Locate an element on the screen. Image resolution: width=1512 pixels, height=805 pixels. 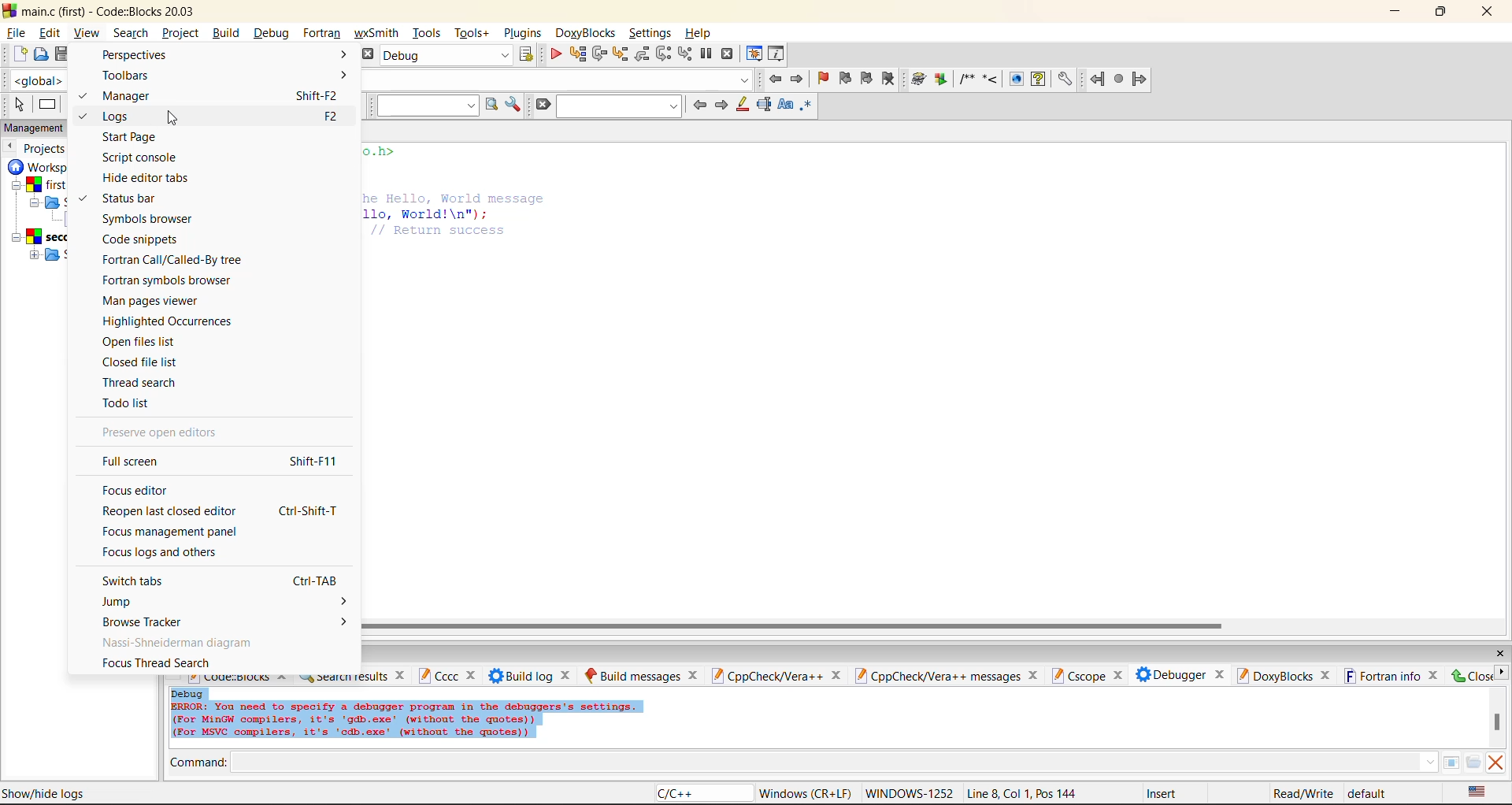
Extract is located at coordinates (943, 80).